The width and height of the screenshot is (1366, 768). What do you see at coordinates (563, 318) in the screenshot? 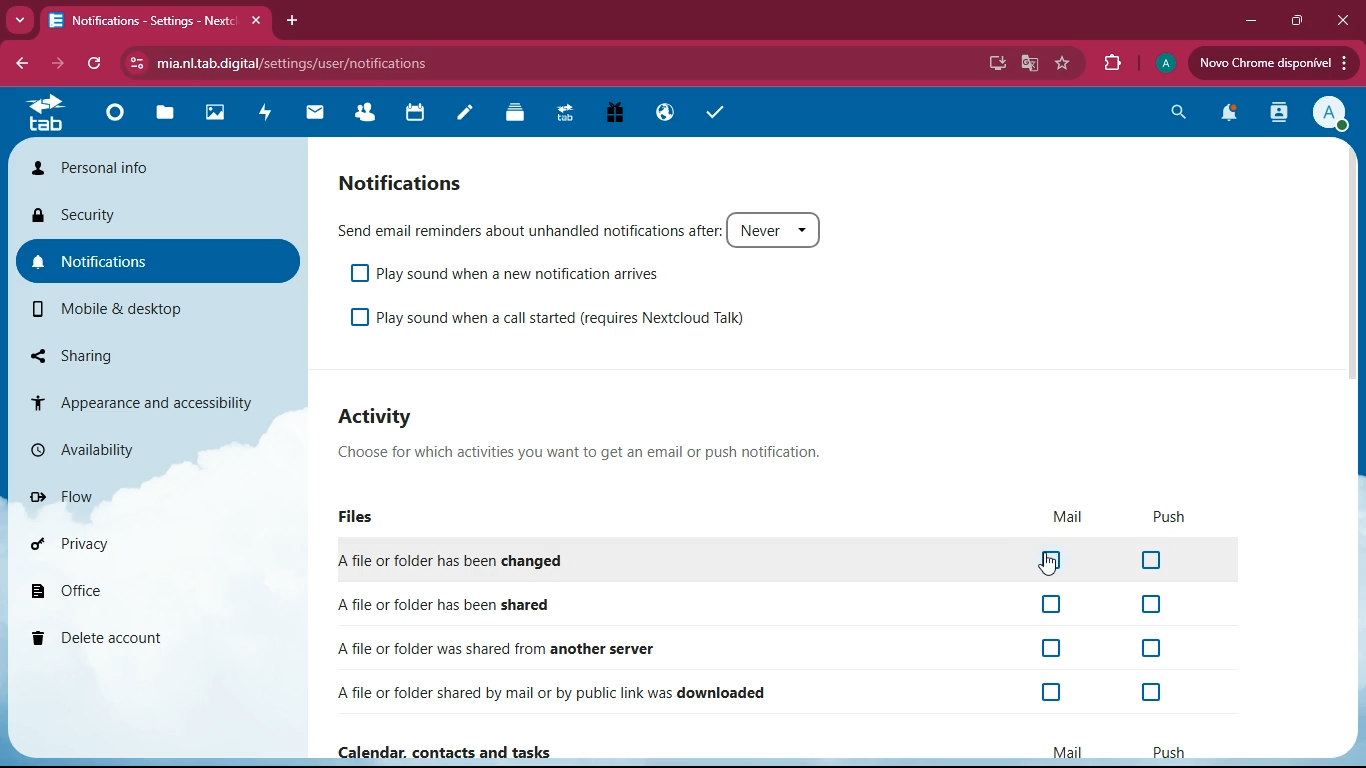
I see `play sound` at bounding box center [563, 318].